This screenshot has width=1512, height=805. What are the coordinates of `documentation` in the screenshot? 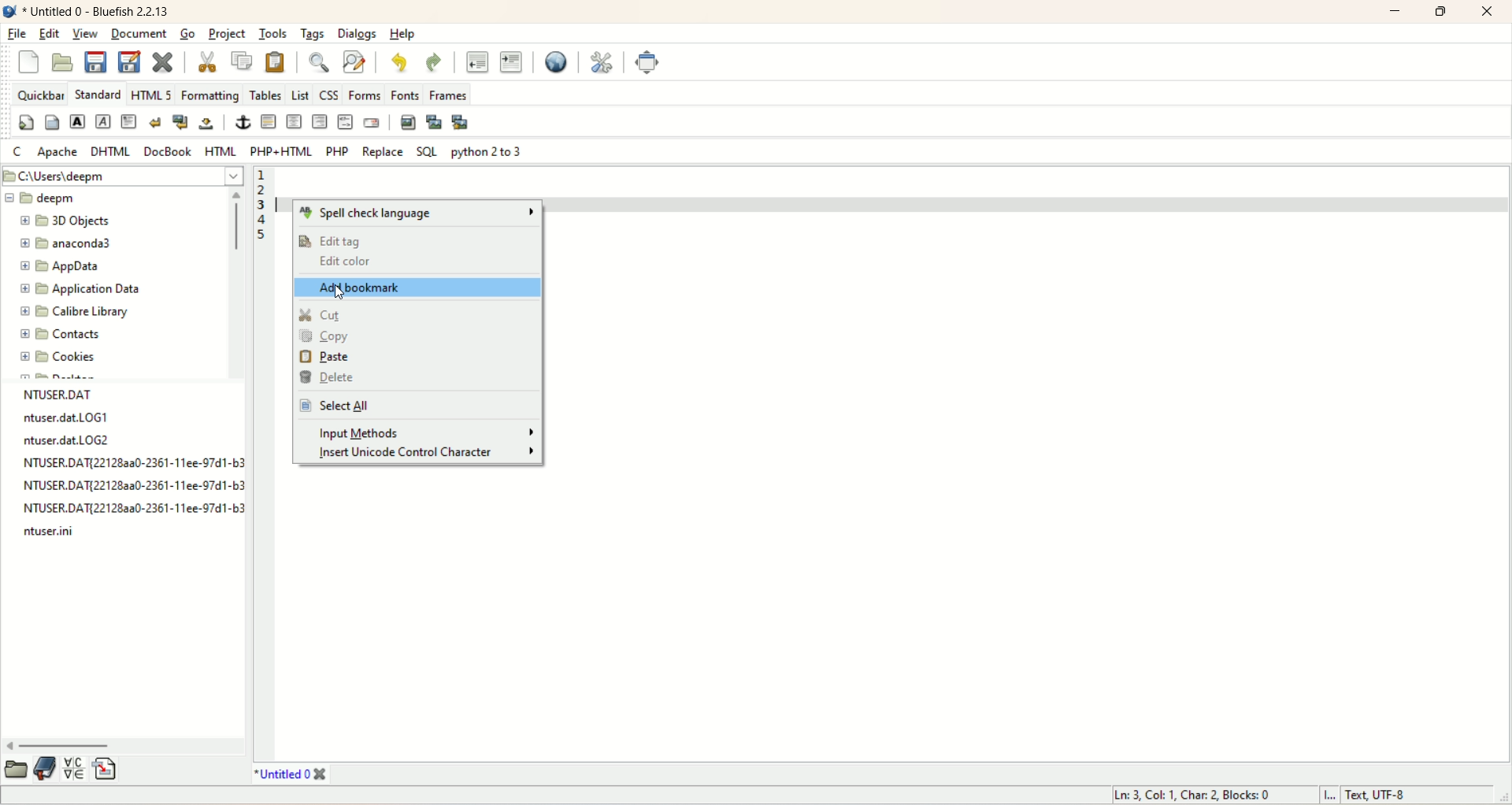 It's located at (42, 770).